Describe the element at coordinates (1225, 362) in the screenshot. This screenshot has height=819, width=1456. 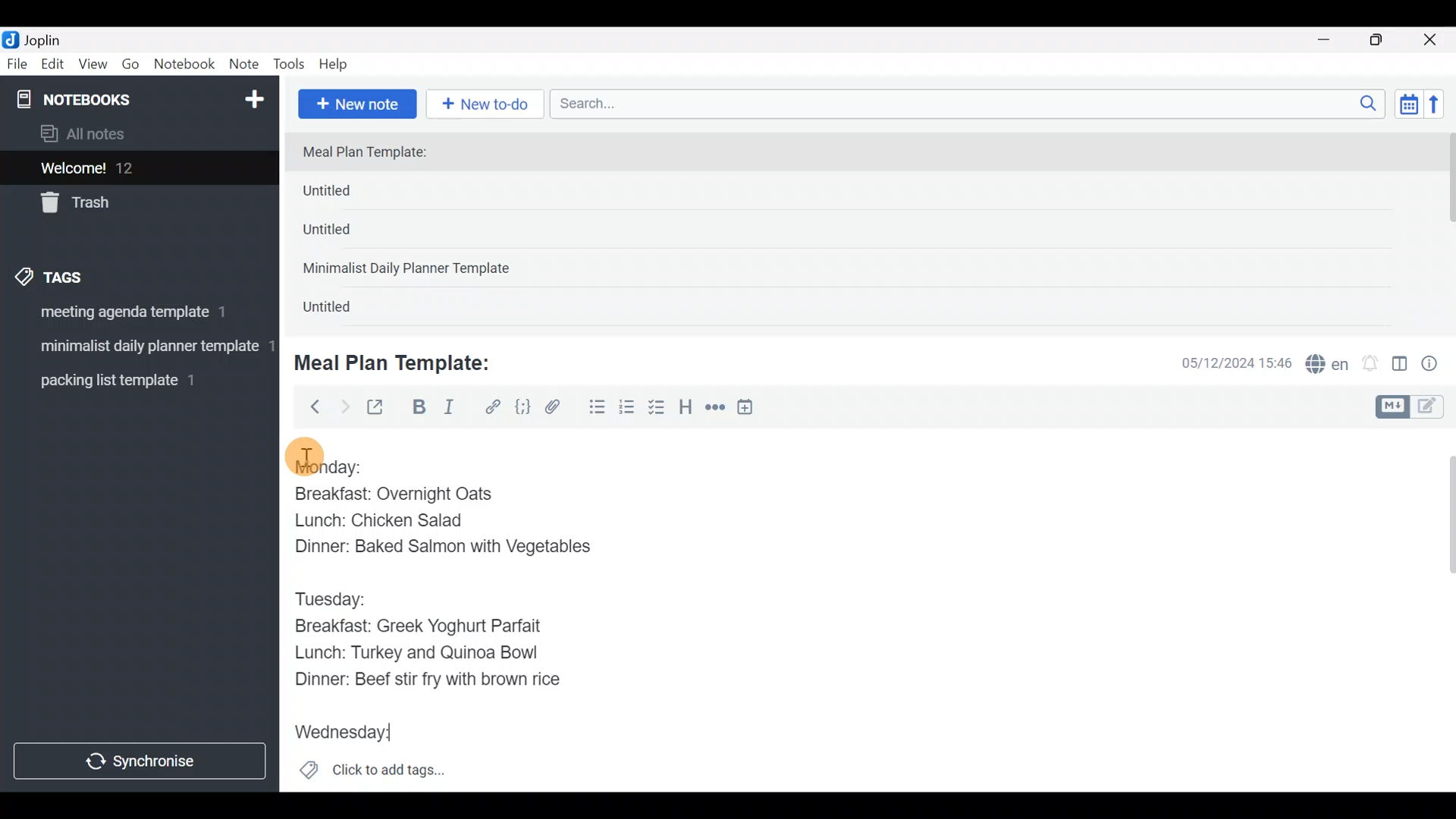
I see `Date & time` at that location.